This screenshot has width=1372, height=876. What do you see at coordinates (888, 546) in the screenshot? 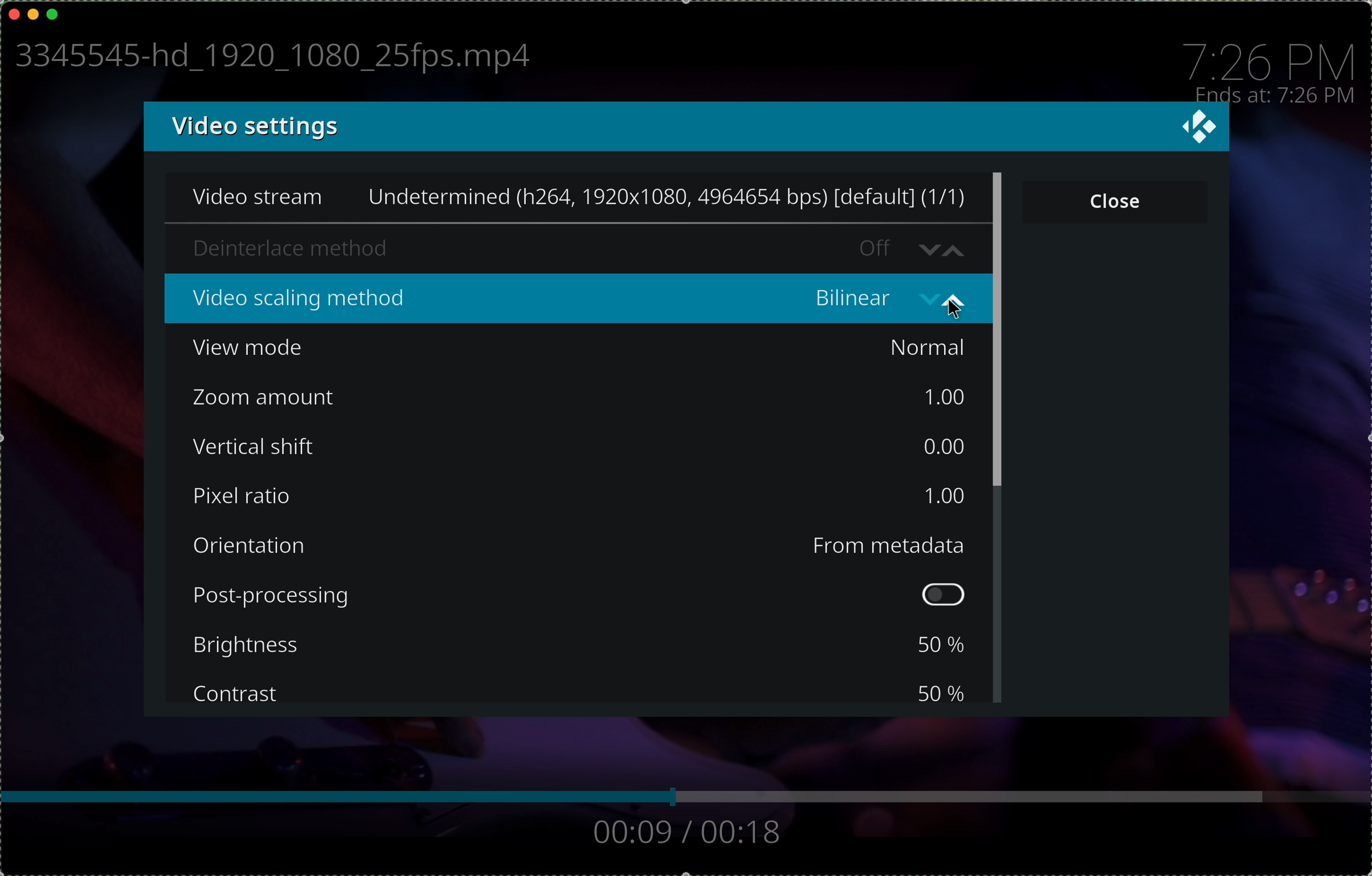
I see `from metadata` at bounding box center [888, 546].